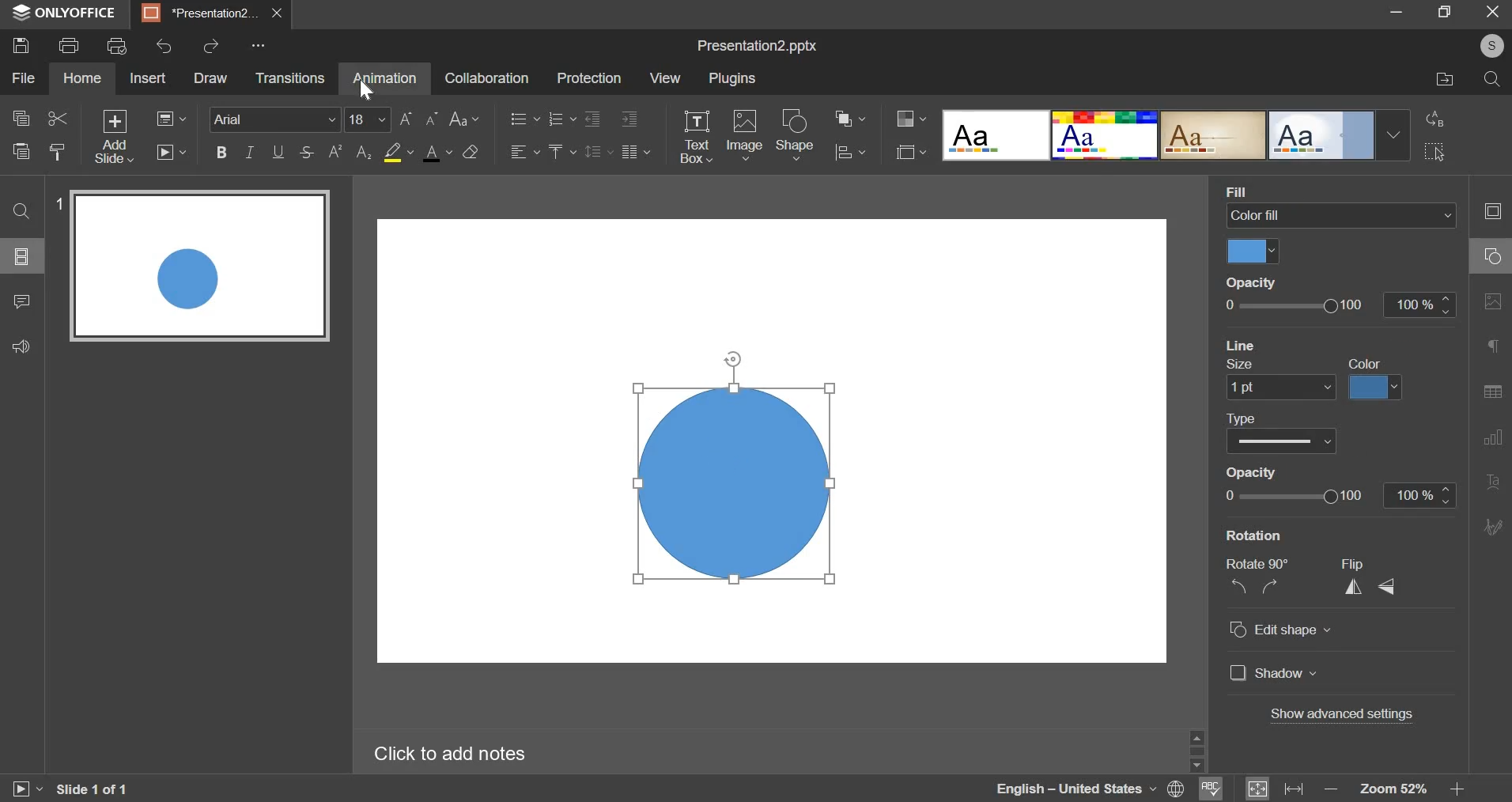  Describe the element at coordinates (1212, 786) in the screenshot. I see `spellcheck` at that location.